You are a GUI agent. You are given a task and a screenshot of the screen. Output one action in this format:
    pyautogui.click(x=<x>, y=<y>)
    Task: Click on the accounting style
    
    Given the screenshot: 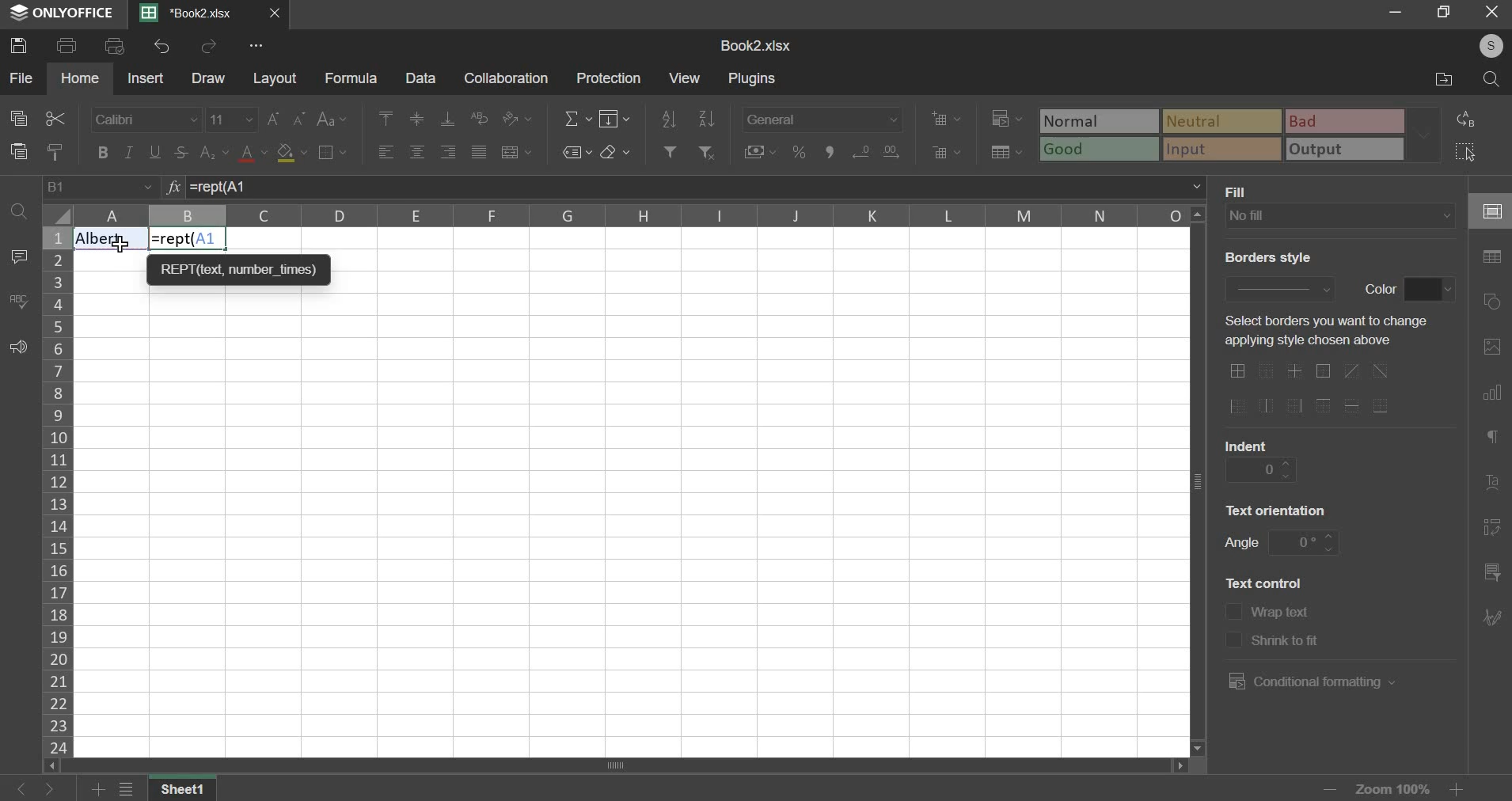 What is the action you would take?
    pyautogui.click(x=759, y=150)
    